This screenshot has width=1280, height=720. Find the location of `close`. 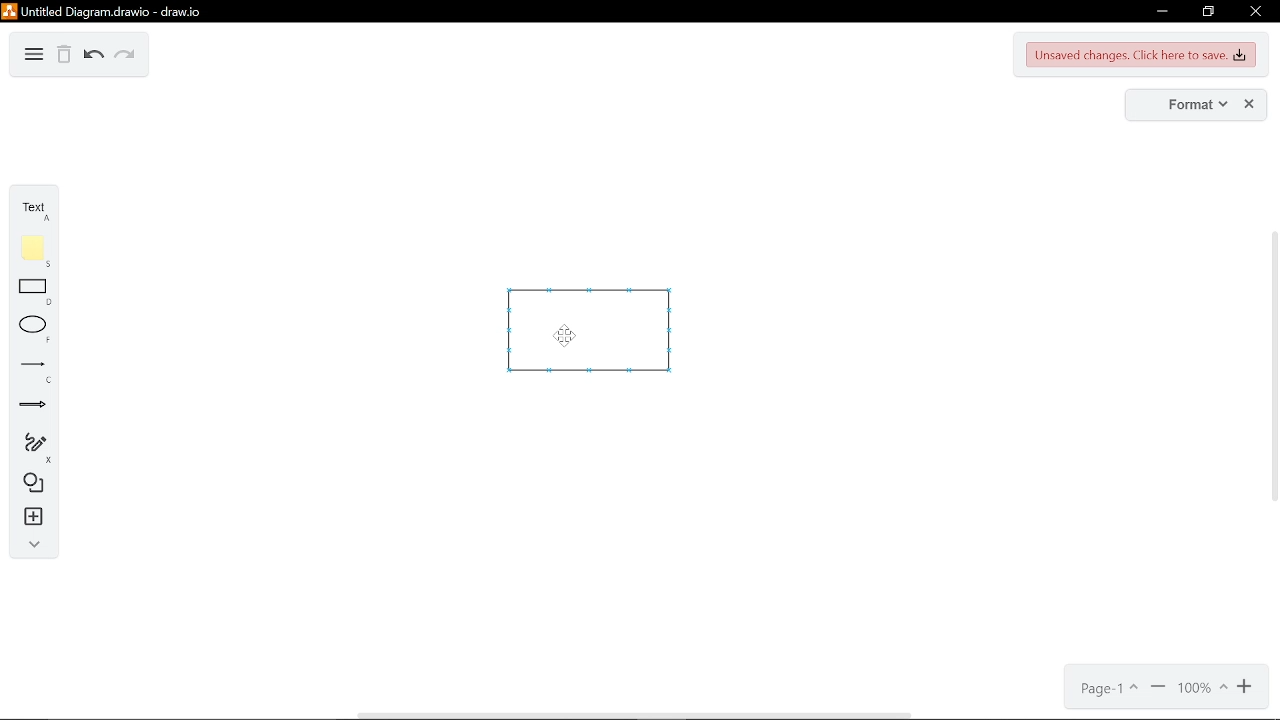

close is located at coordinates (1254, 12).